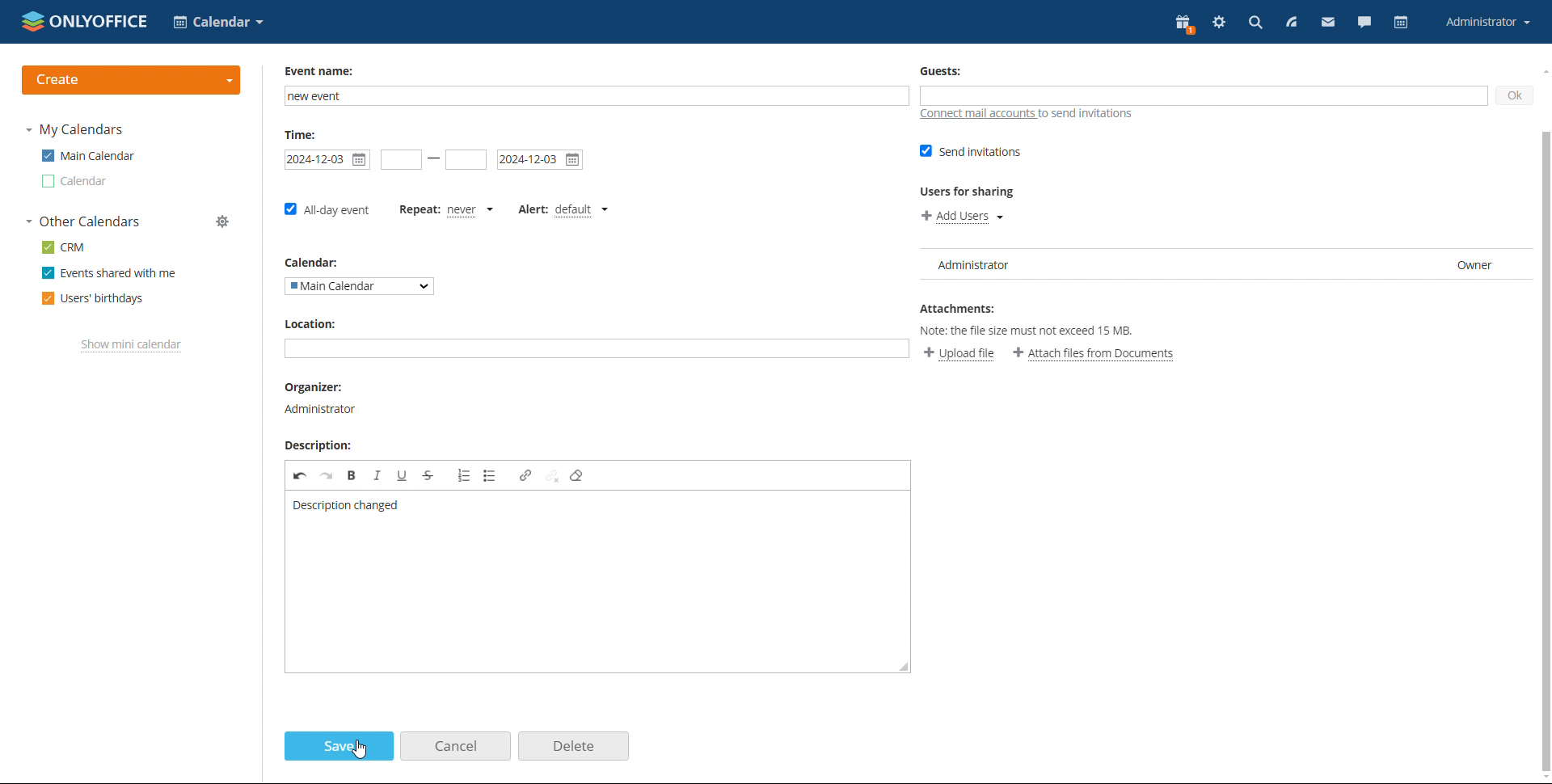 The image size is (1552, 784). I want to click on account, so click(1489, 23).